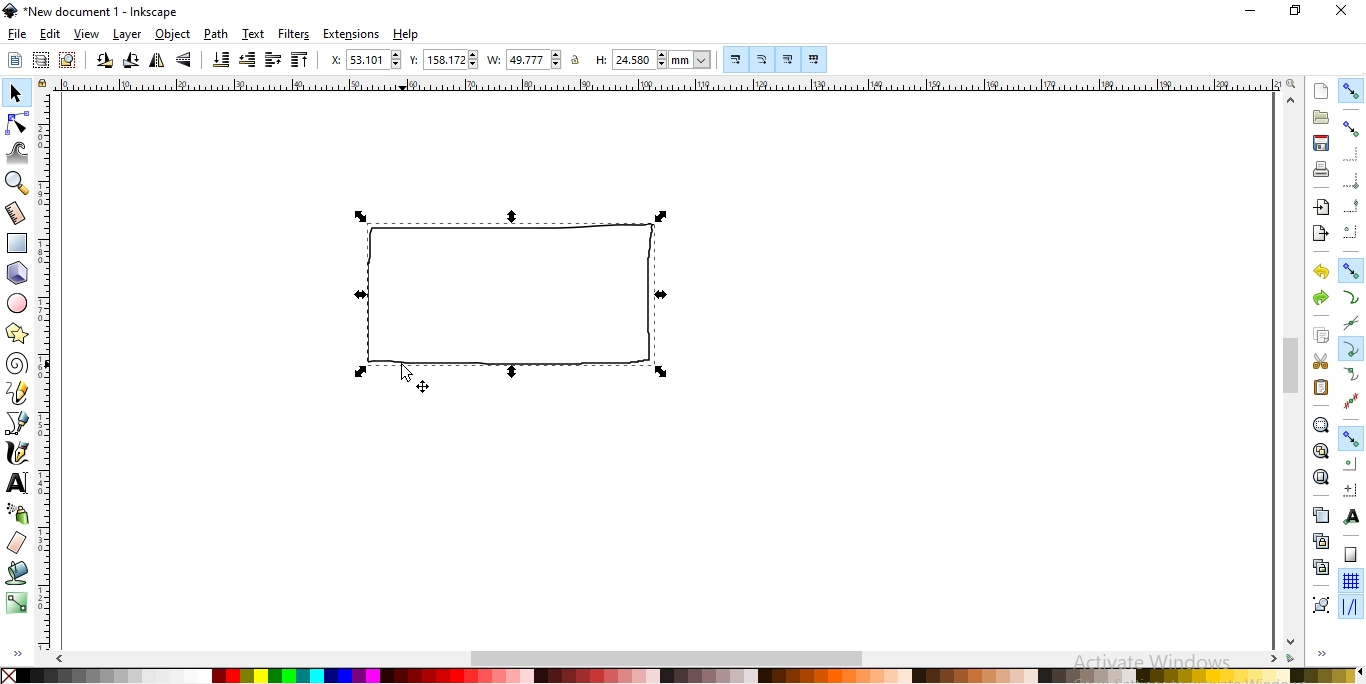 This screenshot has width=1366, height=684. Describe the element at coordinates (1322, 208) in the screenshot. I see `import a bitmap` at that location.